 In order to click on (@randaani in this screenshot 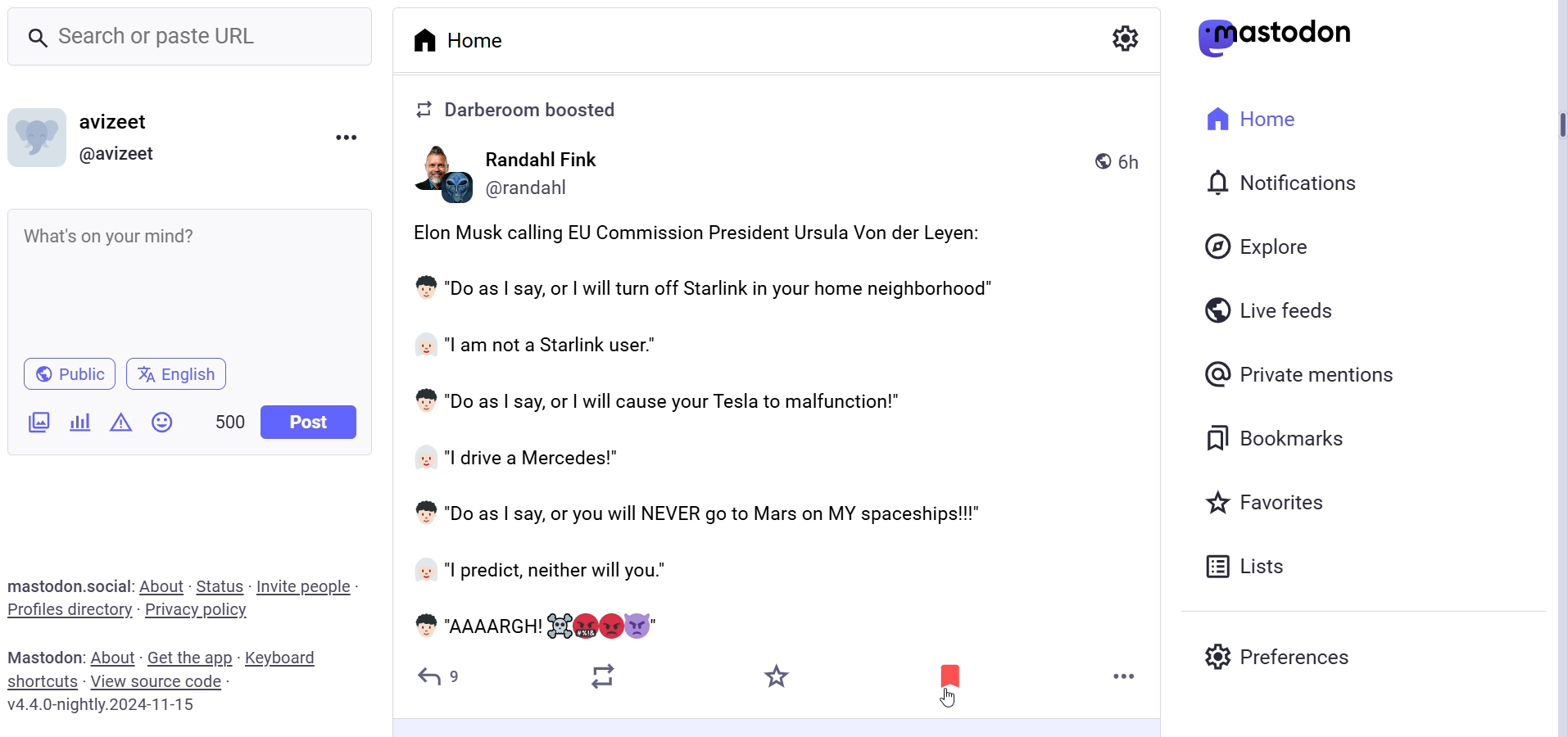, I will do `click(556, 188)`.